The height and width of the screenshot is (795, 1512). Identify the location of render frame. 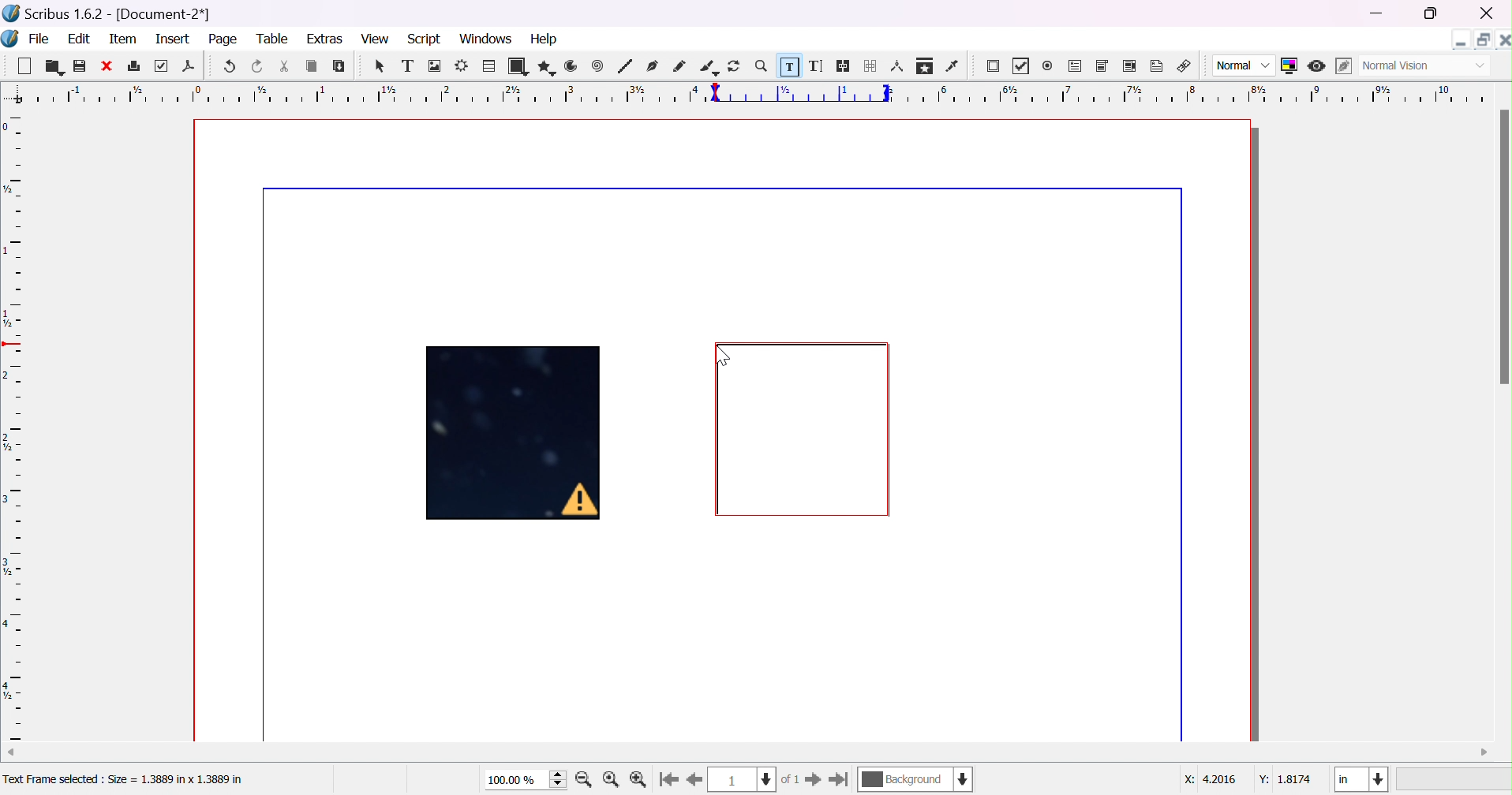
(462, 65).